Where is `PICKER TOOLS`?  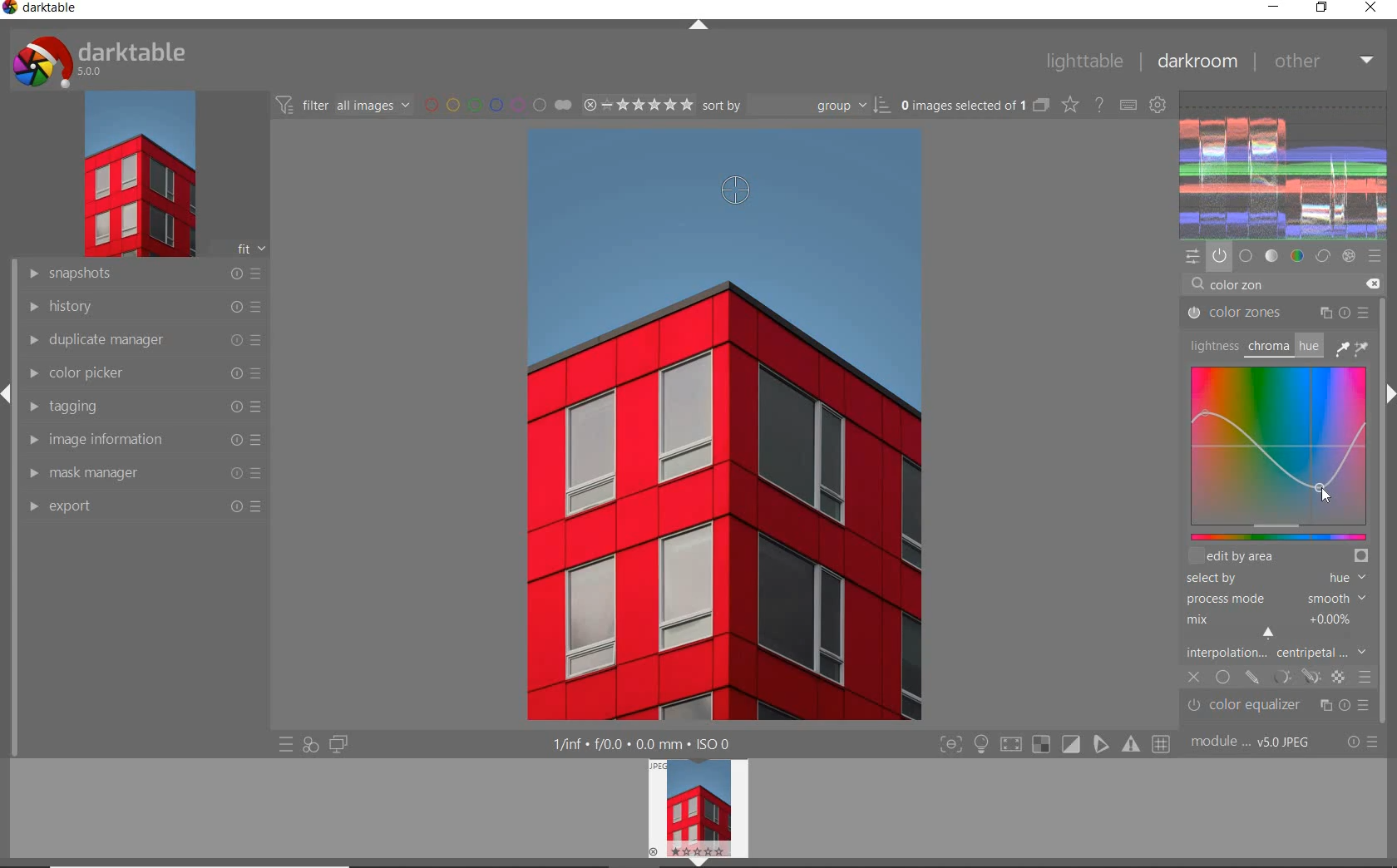 PICKER TOOLS is located at coordinates (1354, 348).